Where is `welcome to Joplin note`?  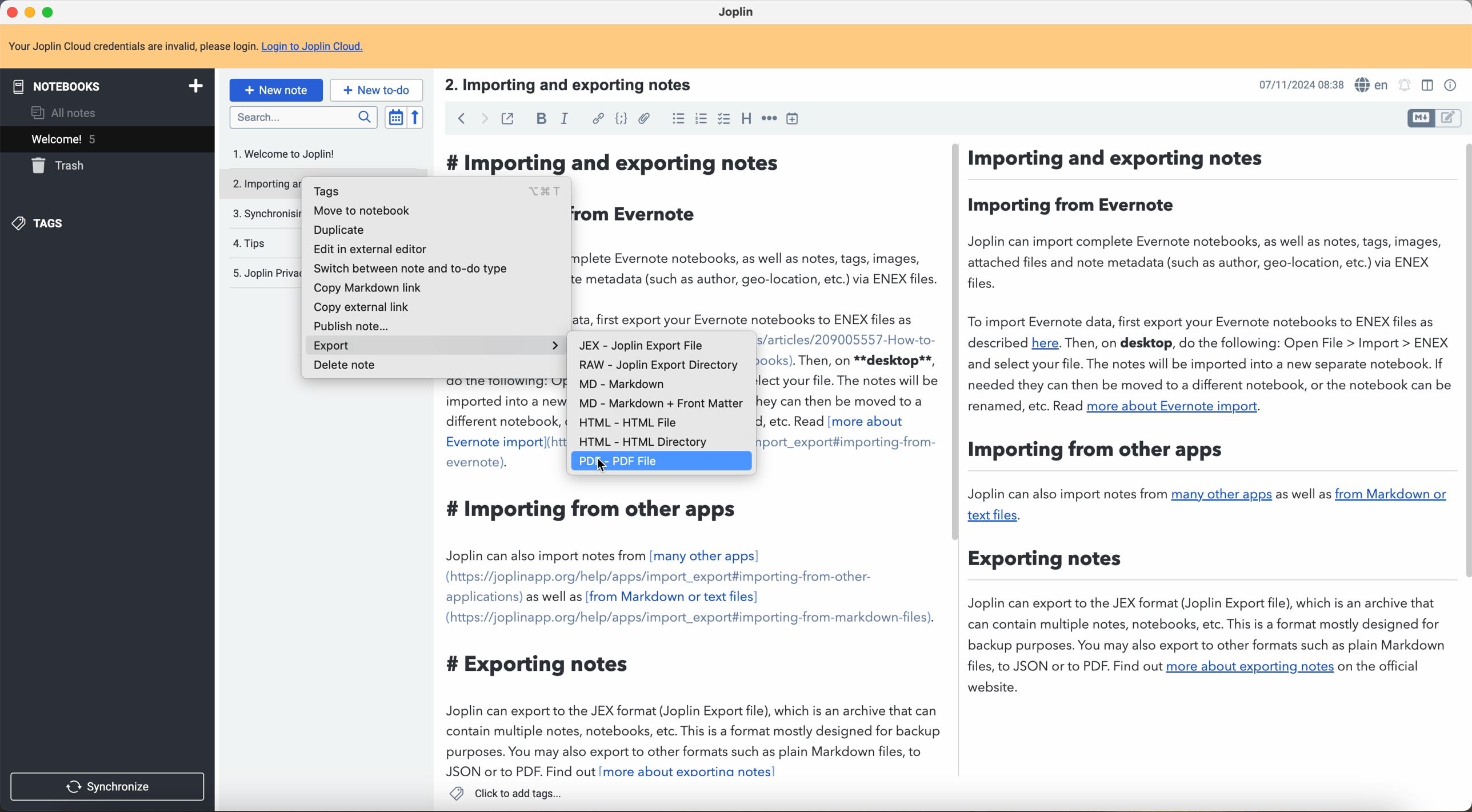
welcome to Joplin note is located at coordinates (291, 153).